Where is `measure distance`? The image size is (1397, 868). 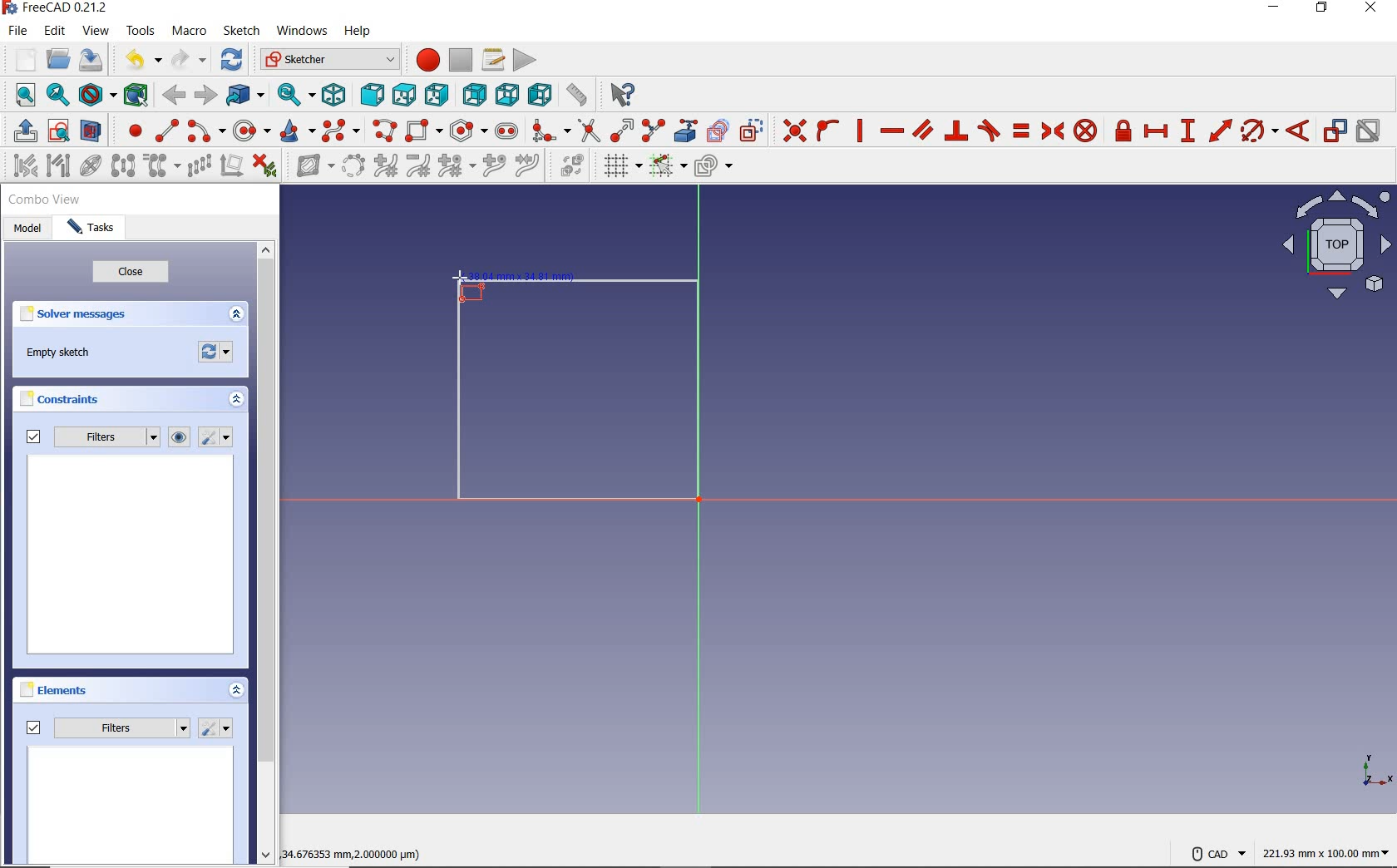
measure distance is located at coordinates (576, 95).